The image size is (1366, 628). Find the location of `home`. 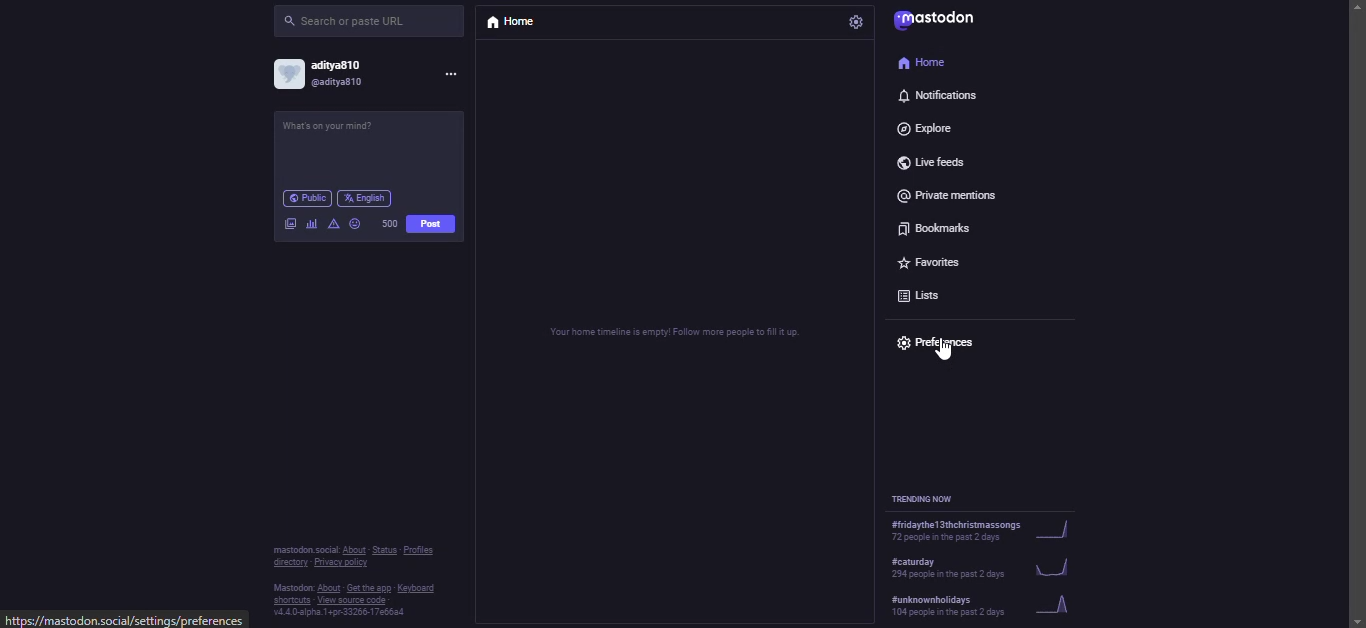

home is located at coordinates (512, 26).